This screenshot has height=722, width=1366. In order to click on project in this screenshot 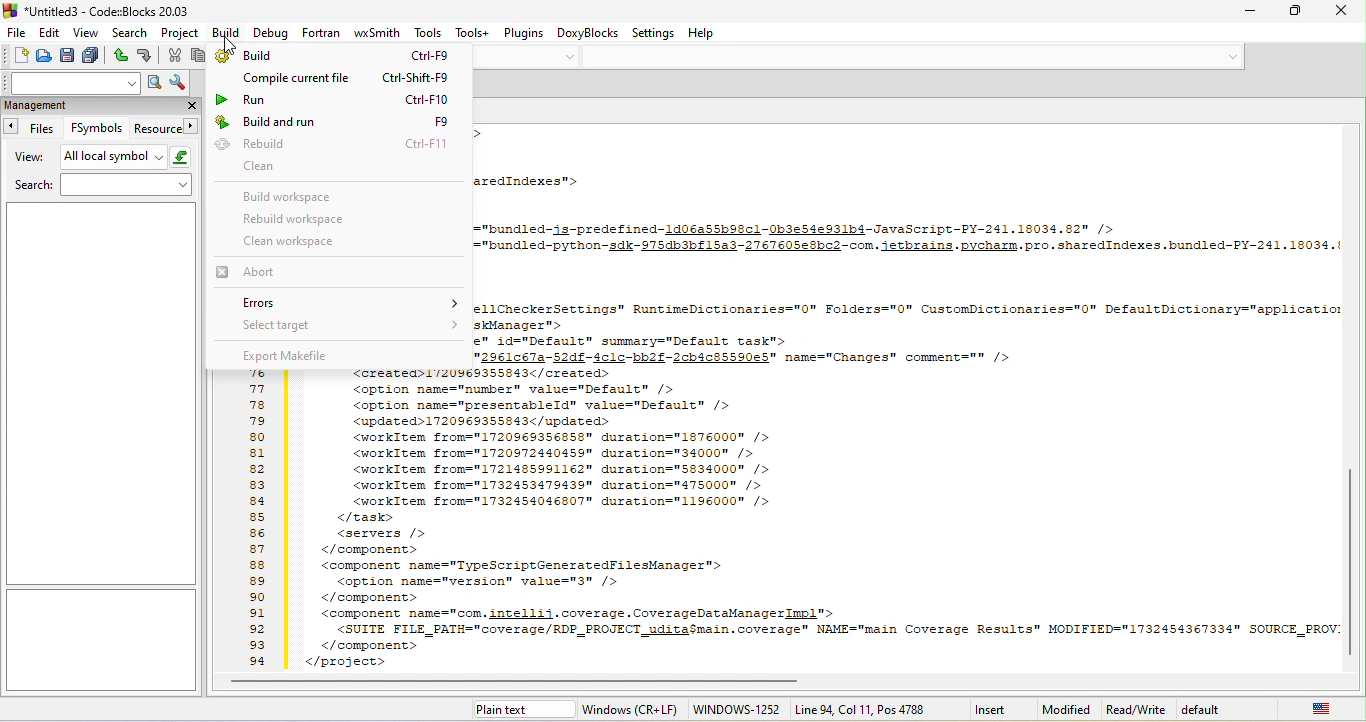, I will do `click(180, 34)`.